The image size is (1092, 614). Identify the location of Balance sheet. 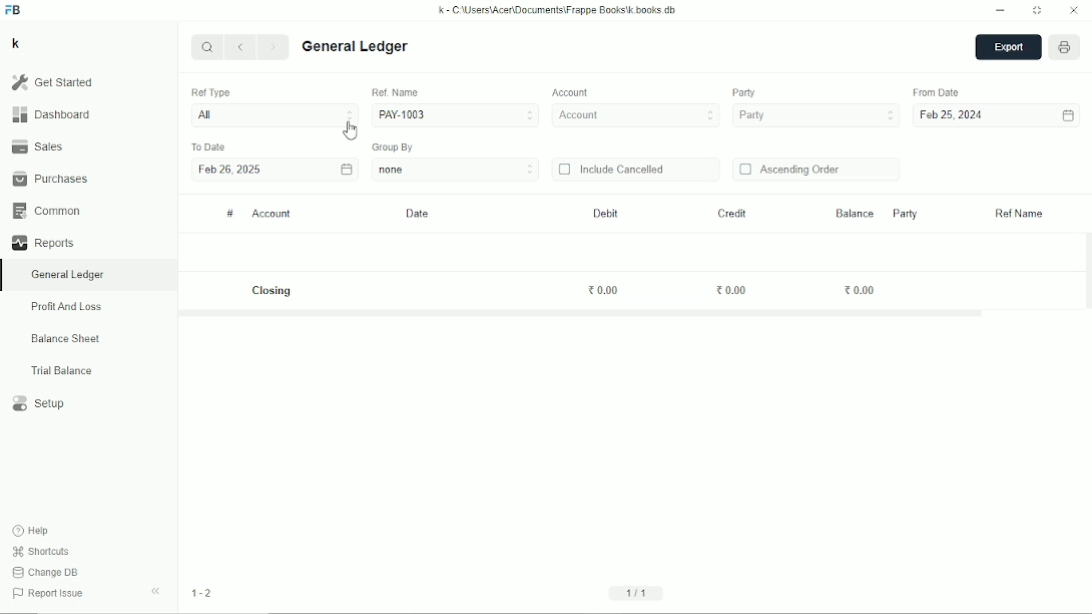
(66, 338).